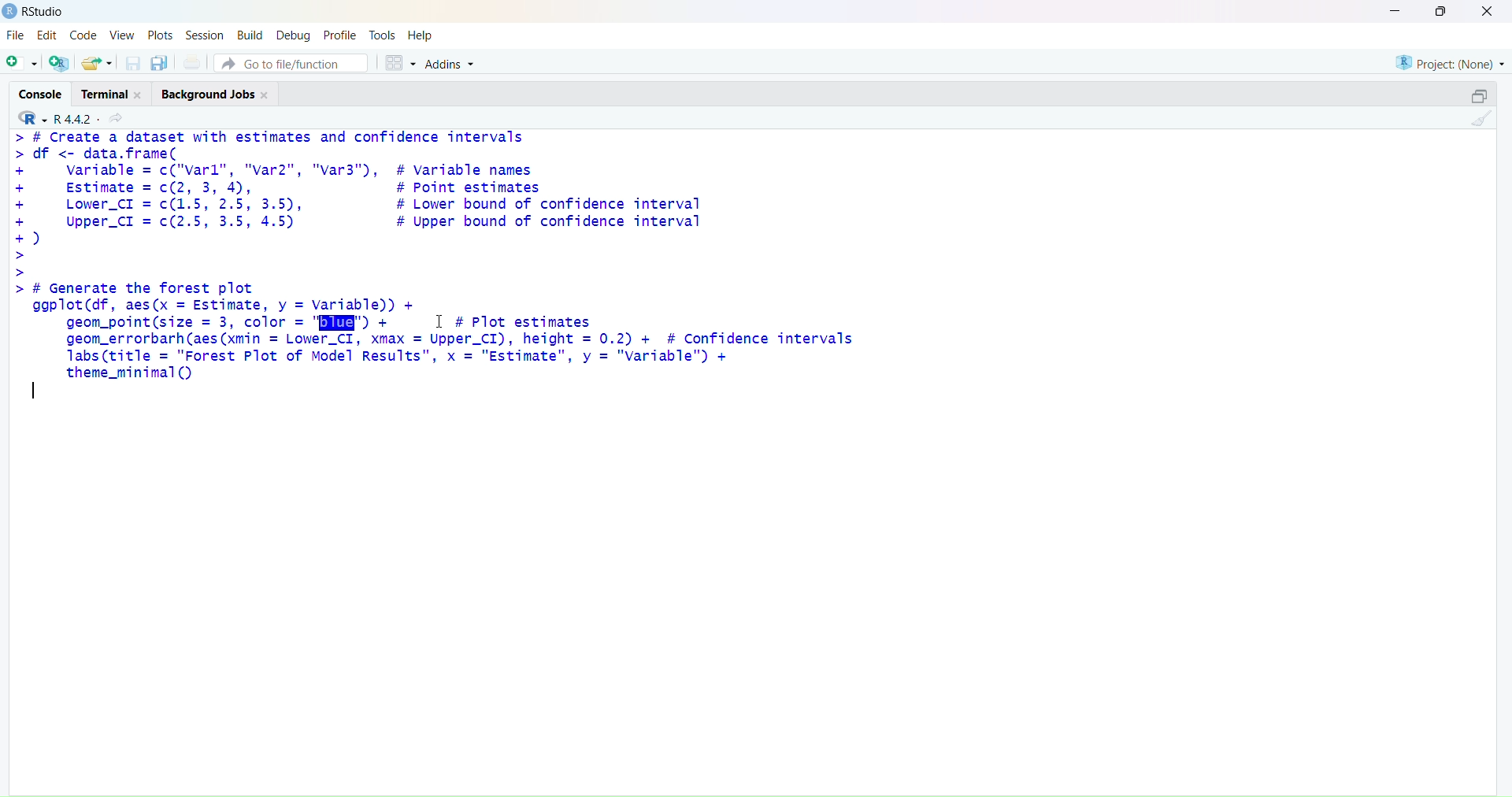  What do you see at coordinates (96, 61) in the screenshot?
I see `open existing file` at bounding box center [96, 61].